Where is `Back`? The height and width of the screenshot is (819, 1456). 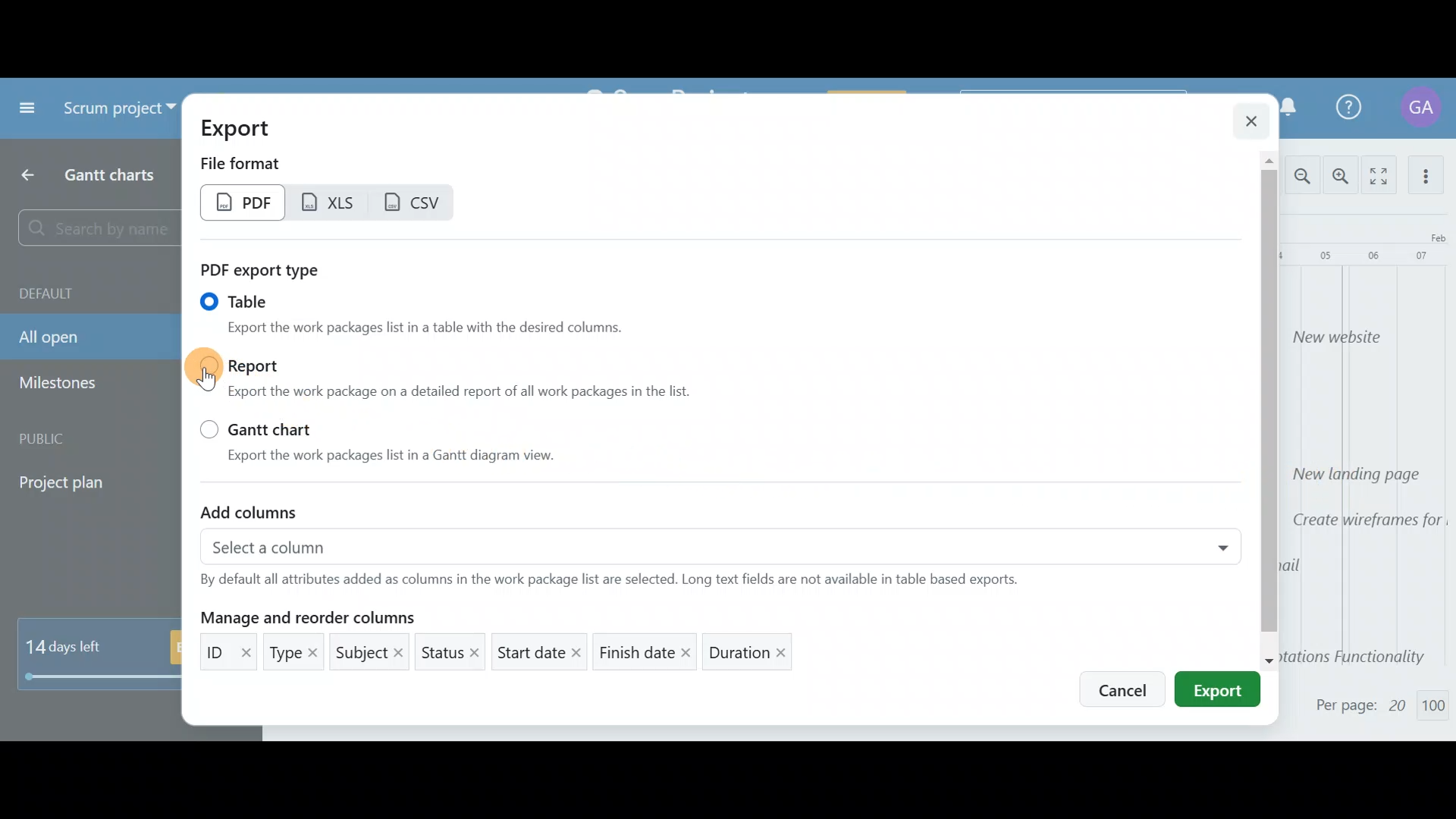 Back is located at coordinates (32, 172).